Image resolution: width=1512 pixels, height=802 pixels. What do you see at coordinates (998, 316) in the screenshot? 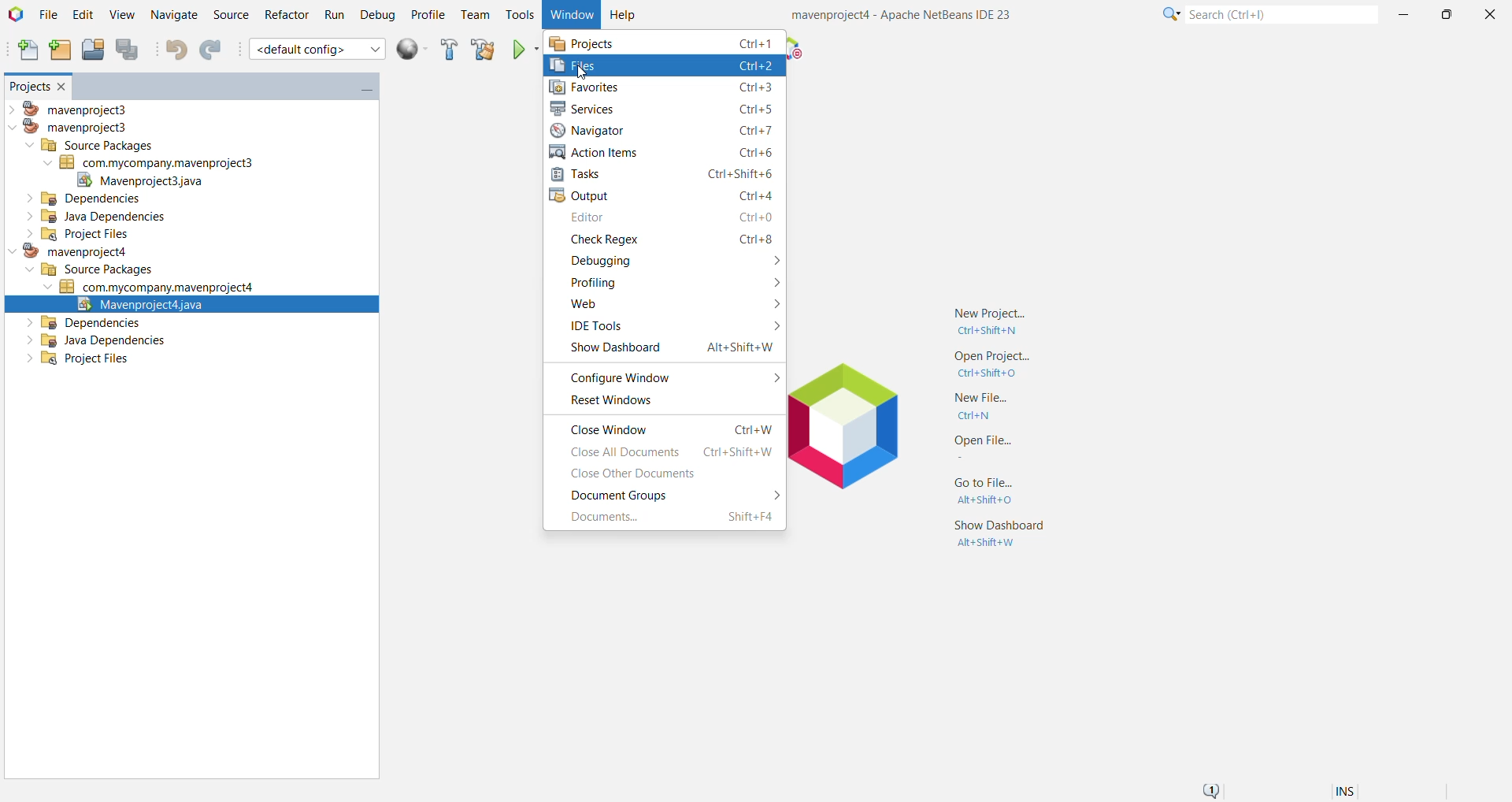
I see `New Project` at bounding box center [998, 316].